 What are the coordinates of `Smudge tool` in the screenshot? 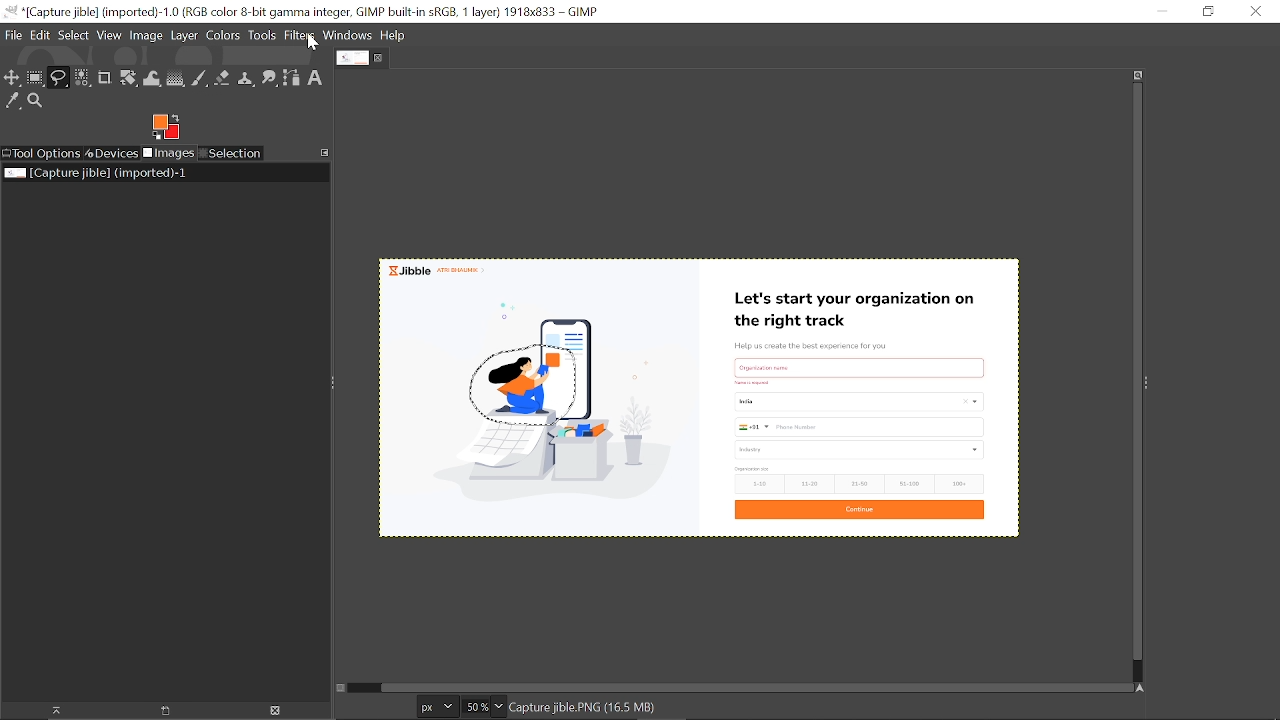 It's located at (270, 79).